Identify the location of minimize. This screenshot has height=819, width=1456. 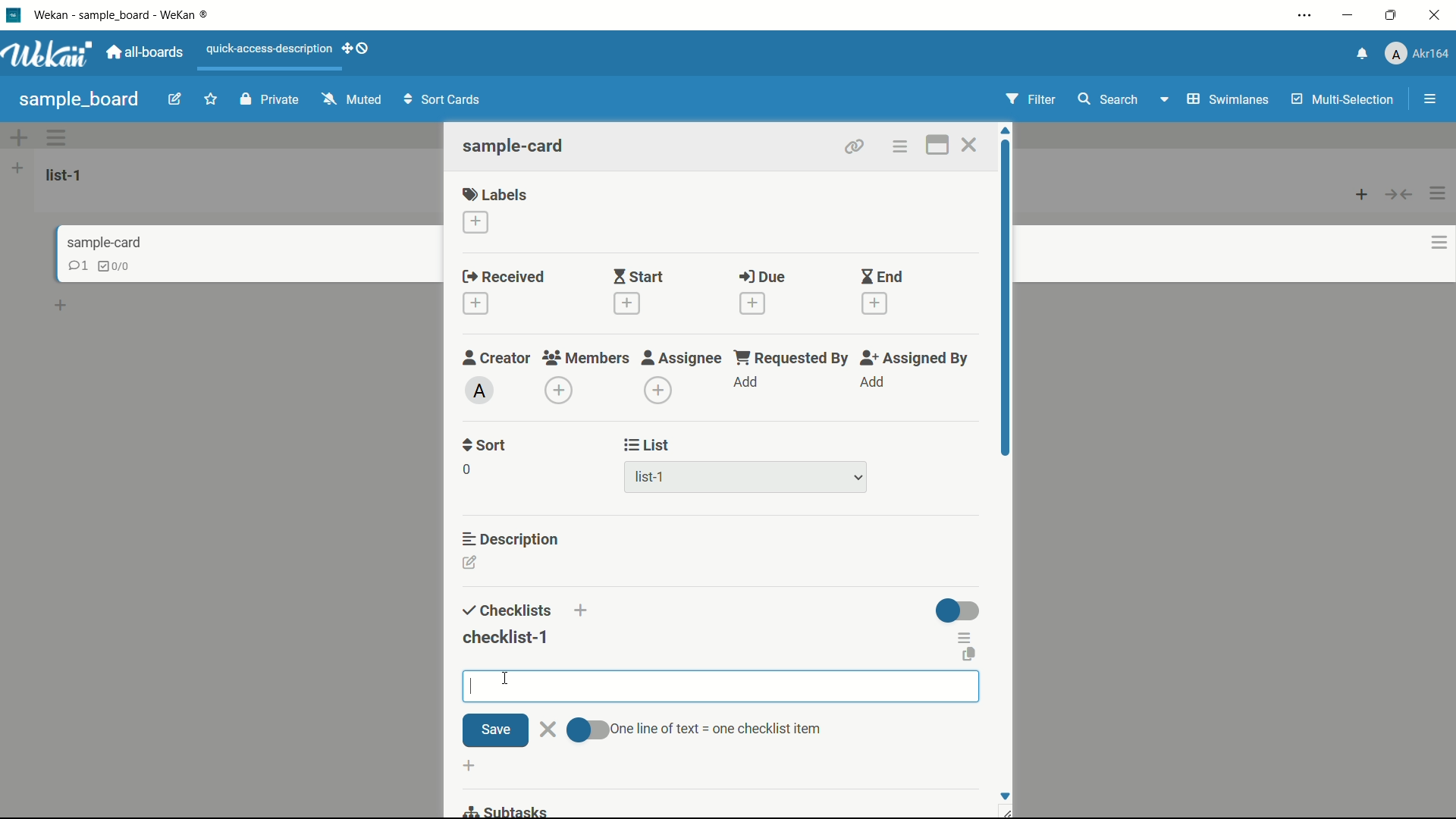
(1349, 16).